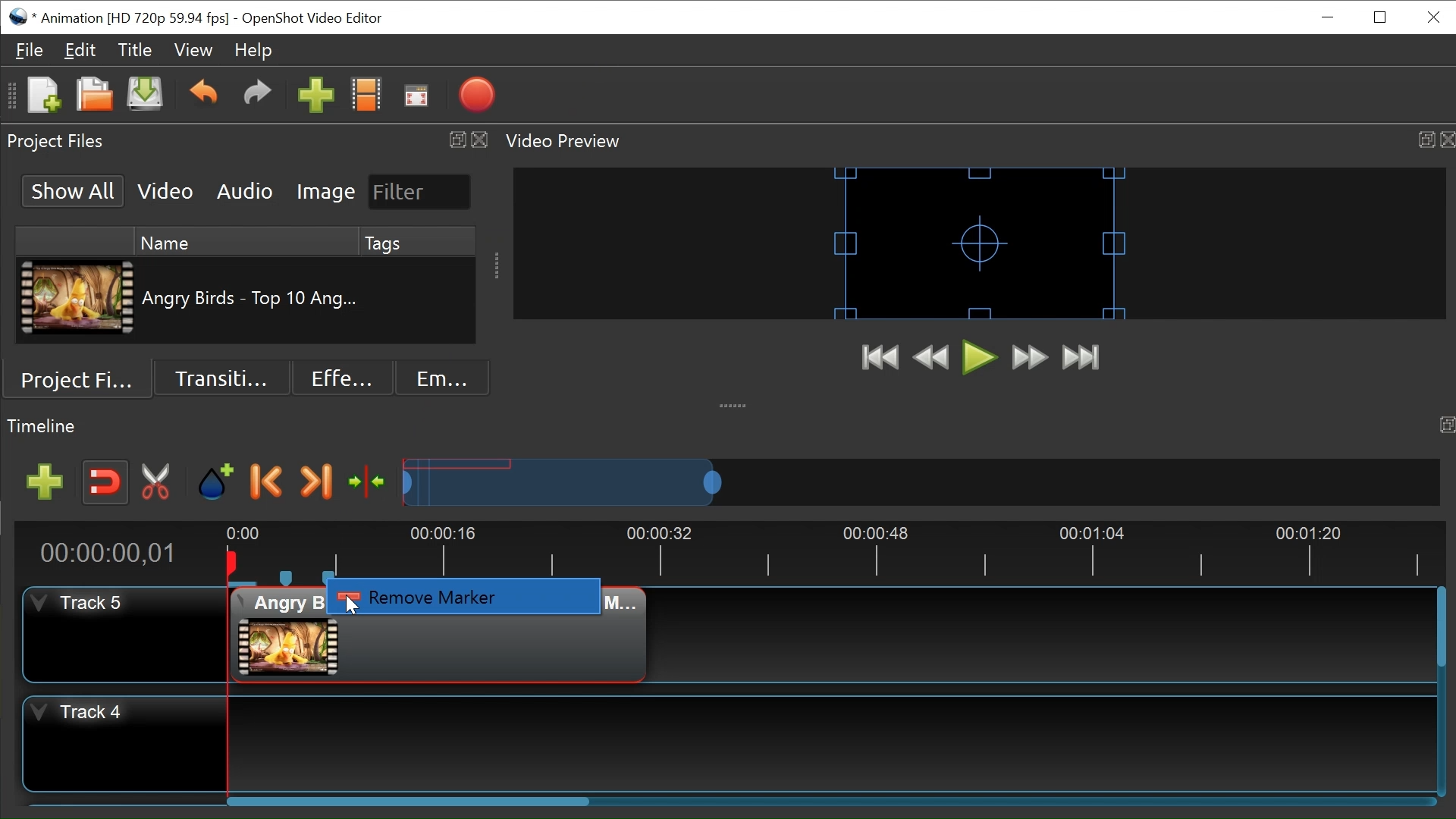 The height and width of the screenshot is (819, 1456). I want to click on Current Position, so click(107, 554).